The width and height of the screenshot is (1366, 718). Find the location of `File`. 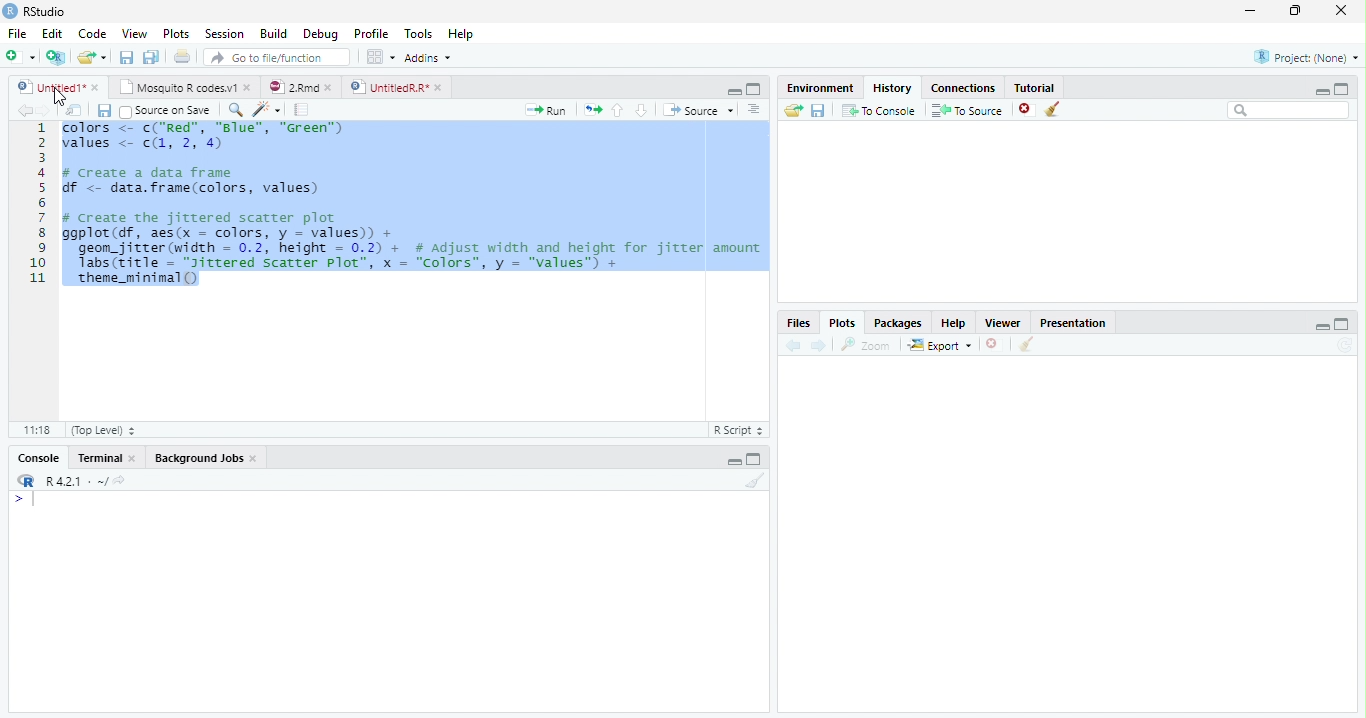

File is located at coordinates (18, 34).